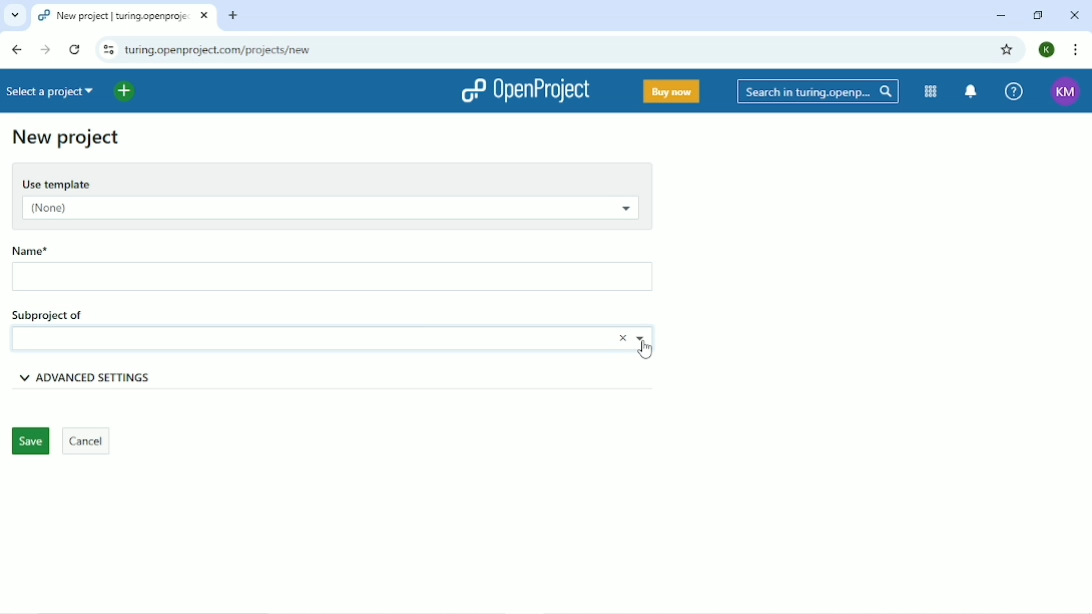 The width and height of the screenshot is (1092, 614). Describe the element at coordinates (61, 248) in the screenshot. I see `Name*` at that location.